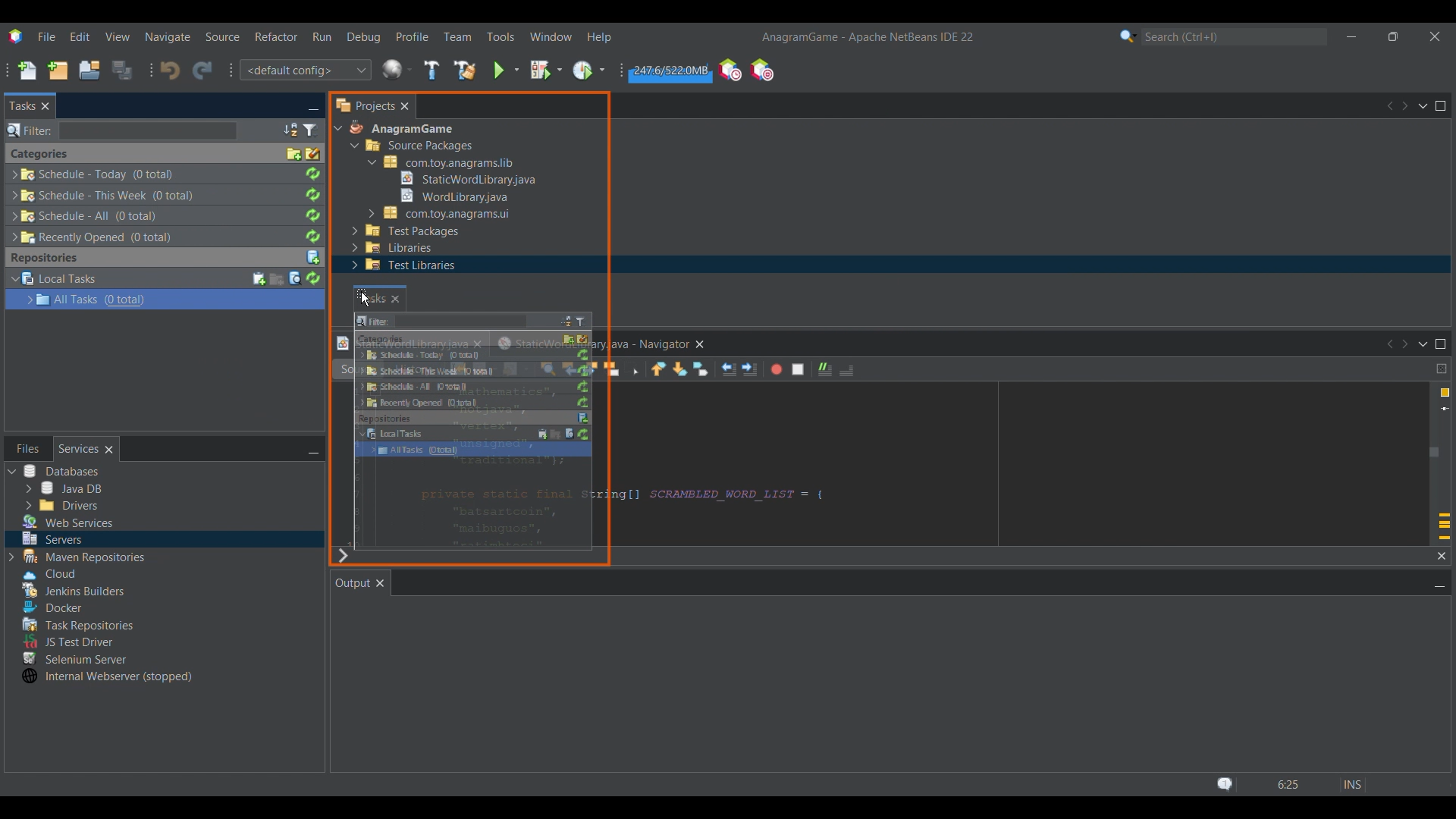  Describe the element at coordinates (458, 36) in the screenshot. I see `Team menu` at that location.